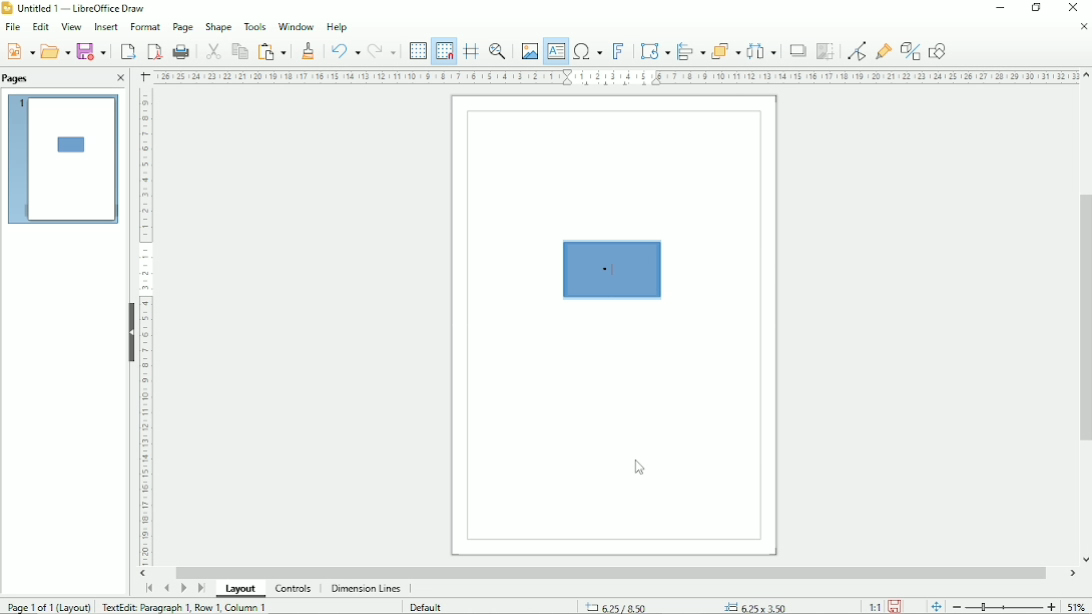 The height and width of the screenshot is (614, 1092). I want to click on Zoom out/in, so click(1005, 607).